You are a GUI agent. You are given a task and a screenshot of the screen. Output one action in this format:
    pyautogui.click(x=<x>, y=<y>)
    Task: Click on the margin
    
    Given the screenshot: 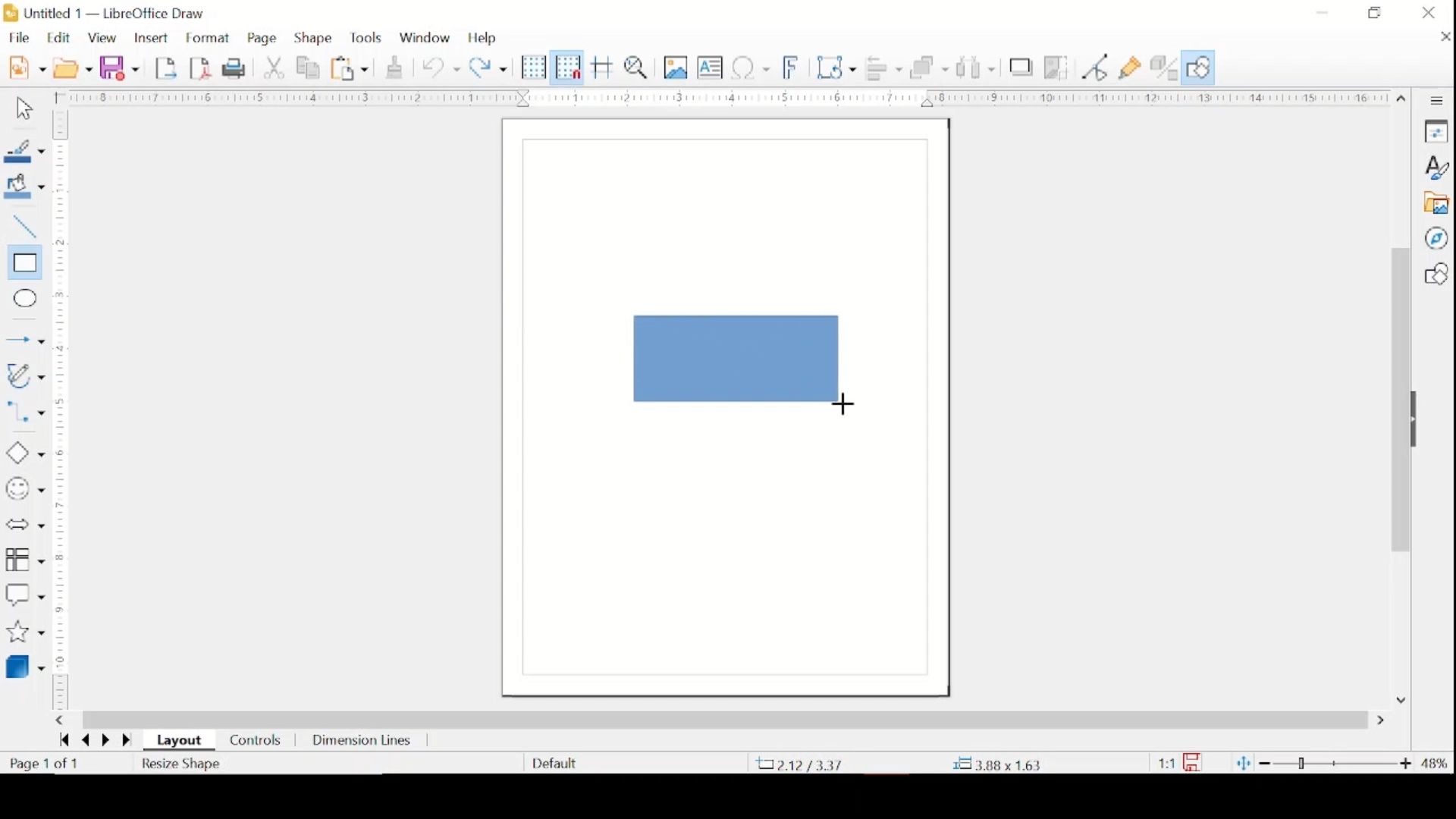 What is the action you would take?
    pyautogui.click(x=719, y=97)
    